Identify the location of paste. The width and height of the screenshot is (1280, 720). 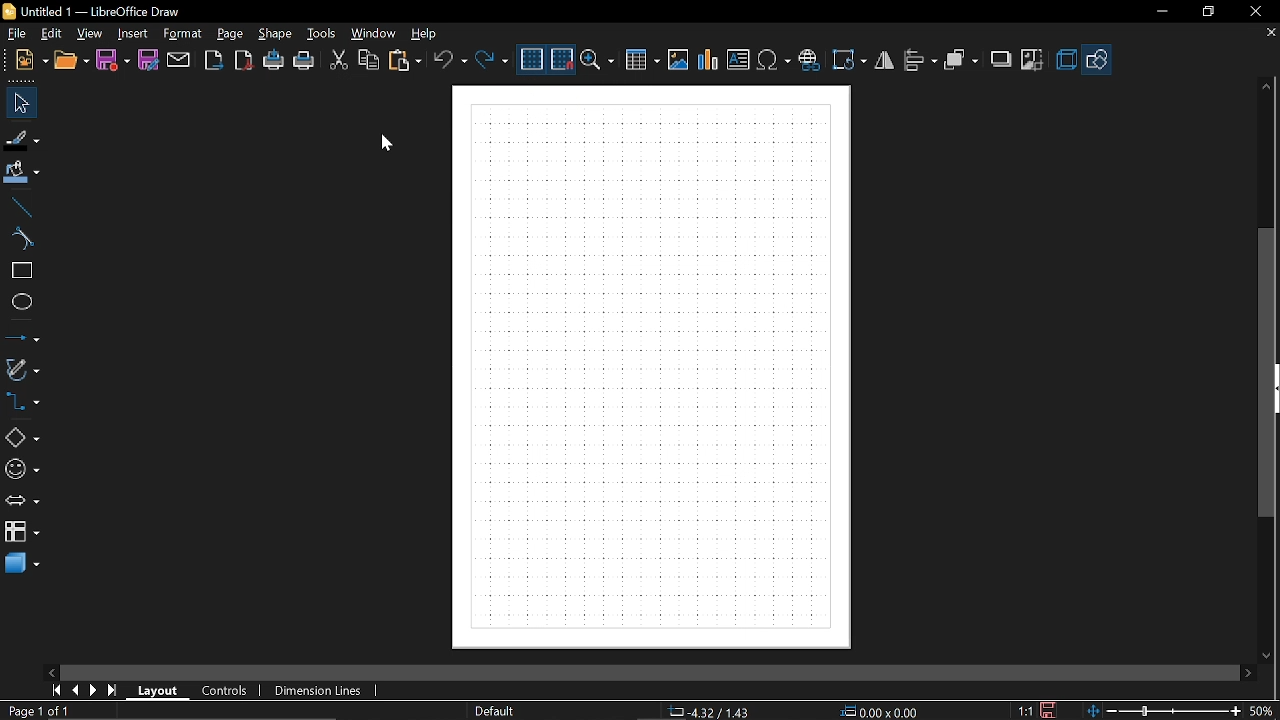
(408, 61).